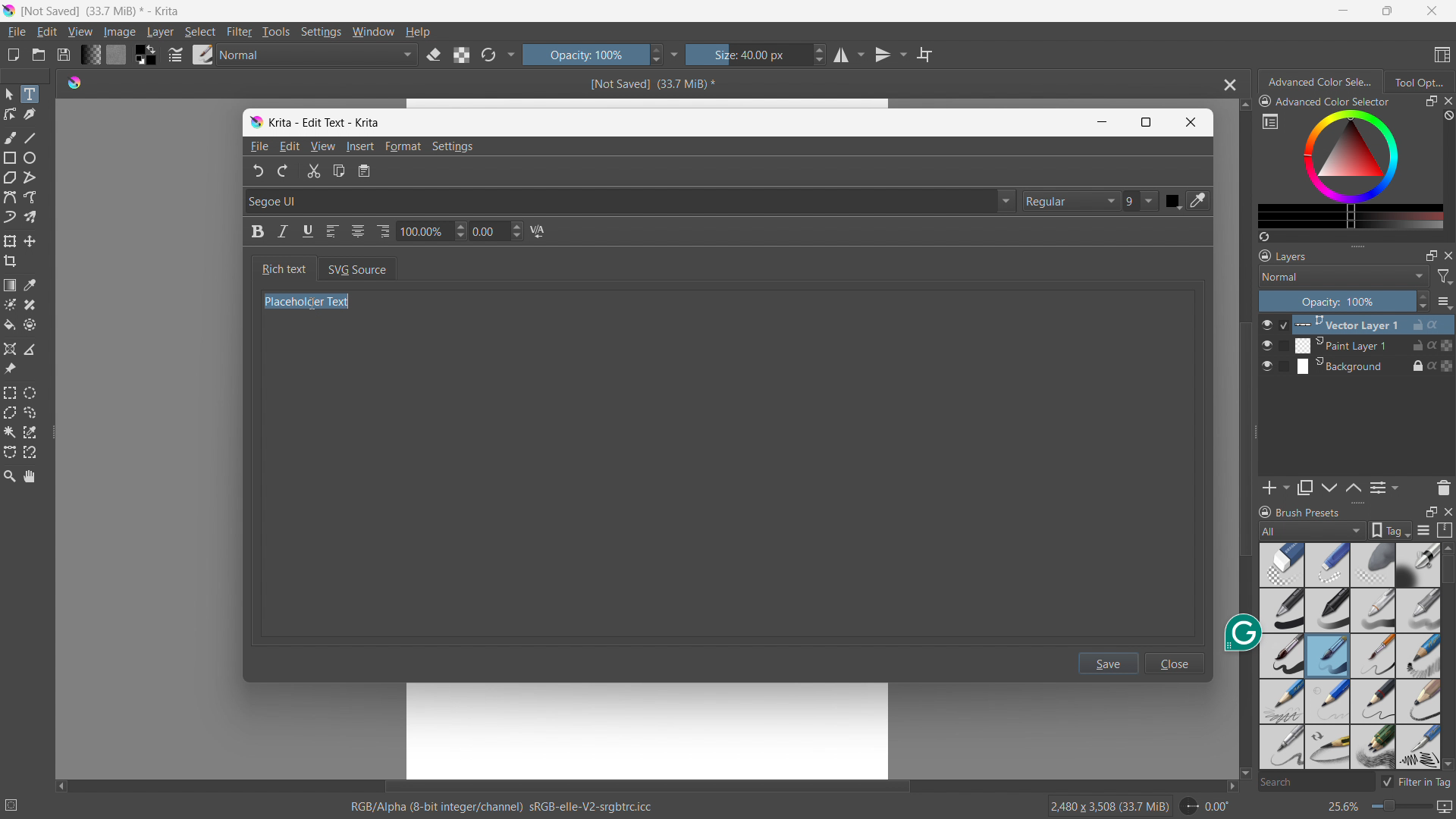 Image resolution: width=1456 pixels, height=819 pixels. I want to click on rectangular selection tool, so click(10, 393).